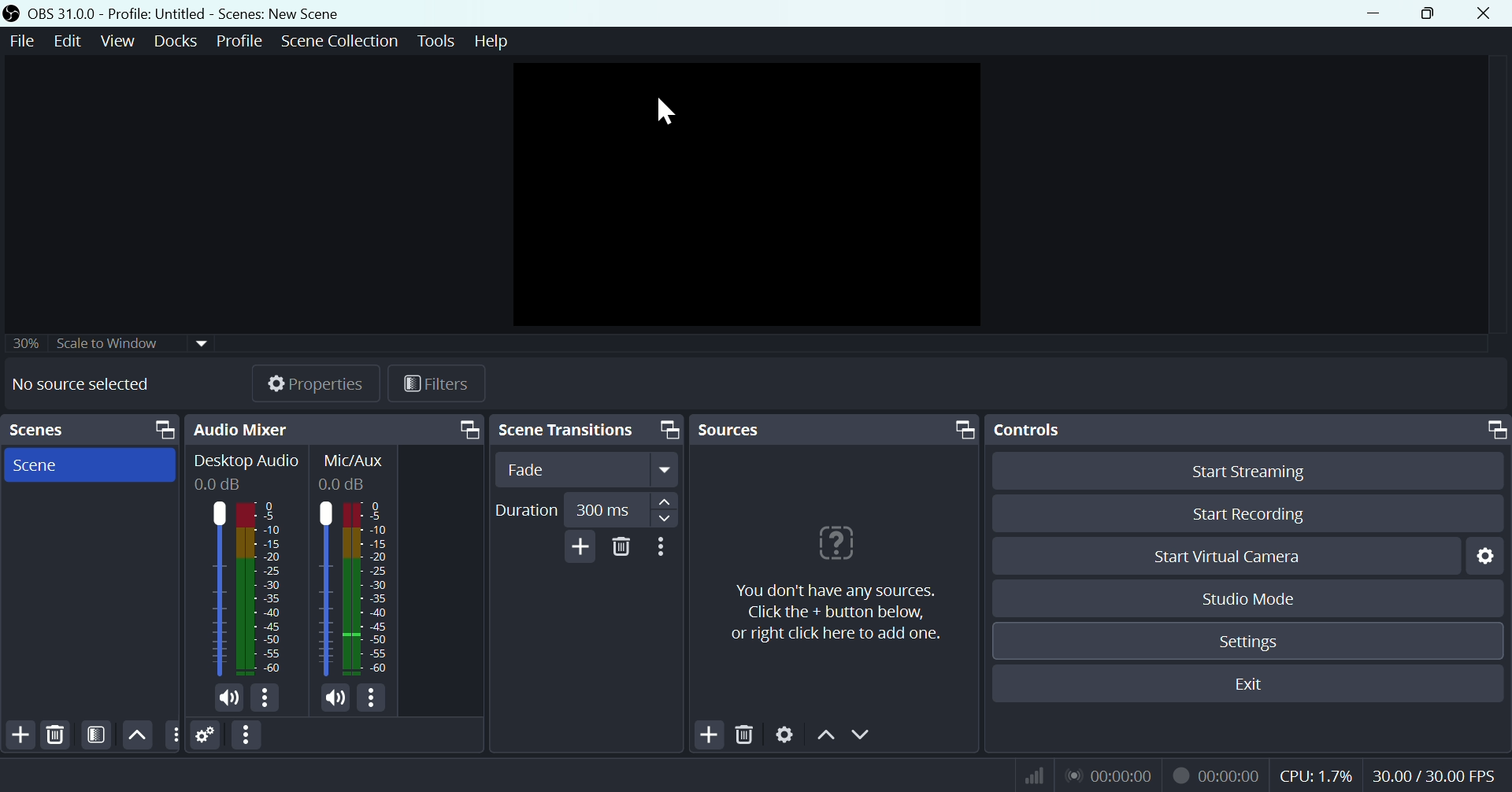 The height and width of the screenshot is (792, 1512). What do you see at coordinates (1247, 470) in the screenshot?
I see `Start streaming` at bounding box center [1247, 470].